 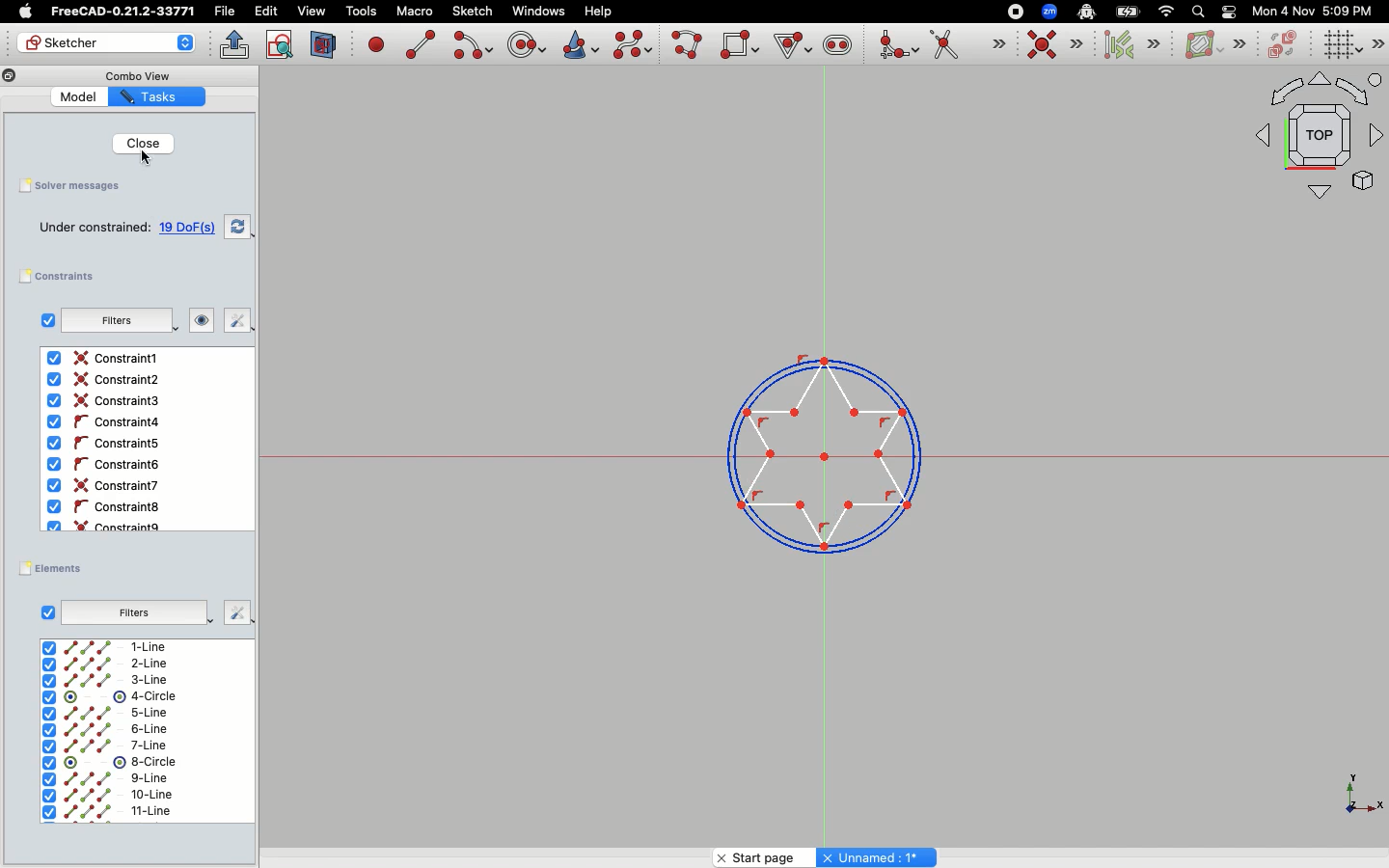 What do you see at coordinates (110, 779) in the screenshot?
I see `9-line` at bounding box center [110, 779].